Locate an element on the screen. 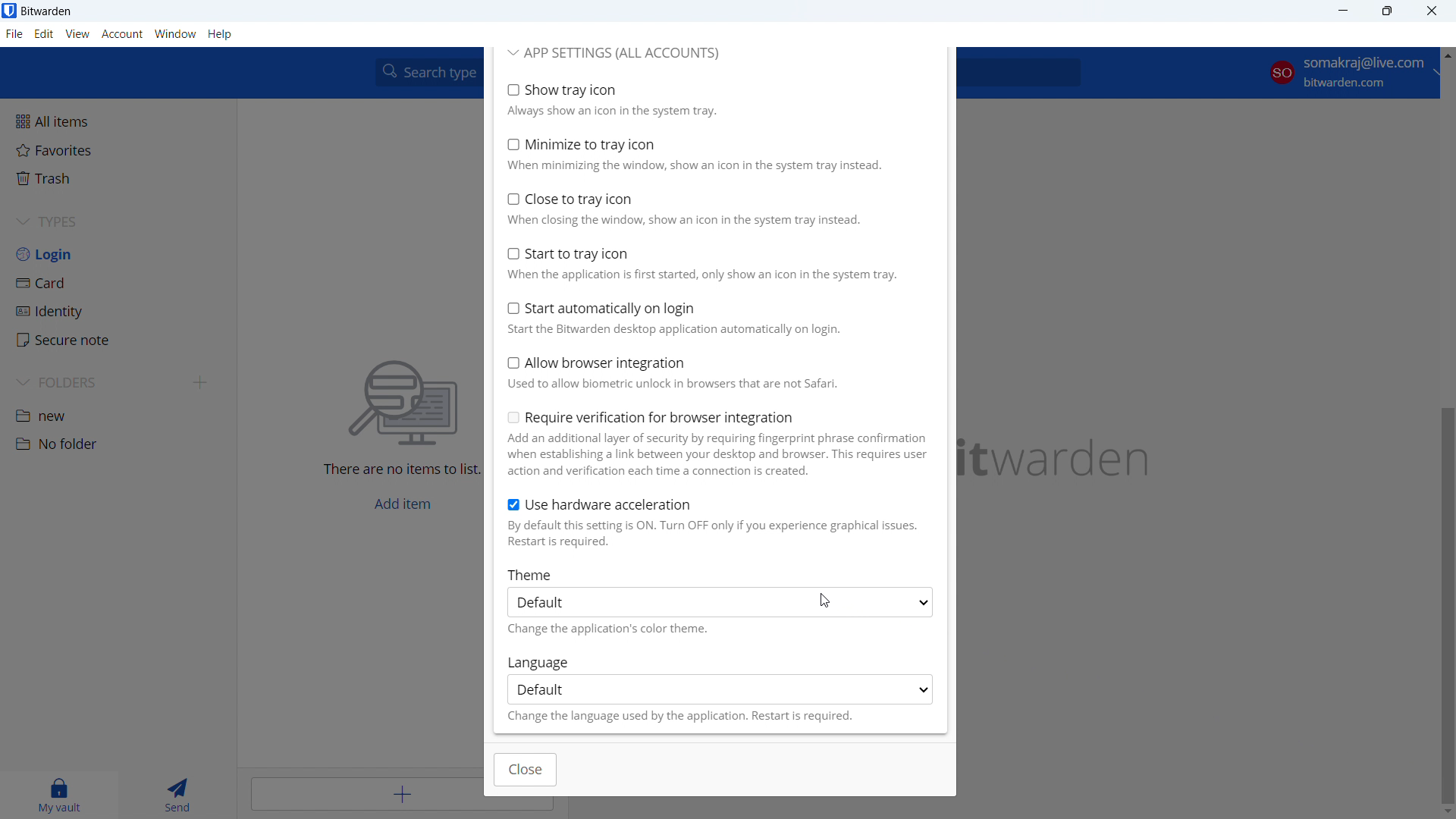 The height and width of the screenshot is (819, 1456). maximize is located at coordinates (1387, 11).